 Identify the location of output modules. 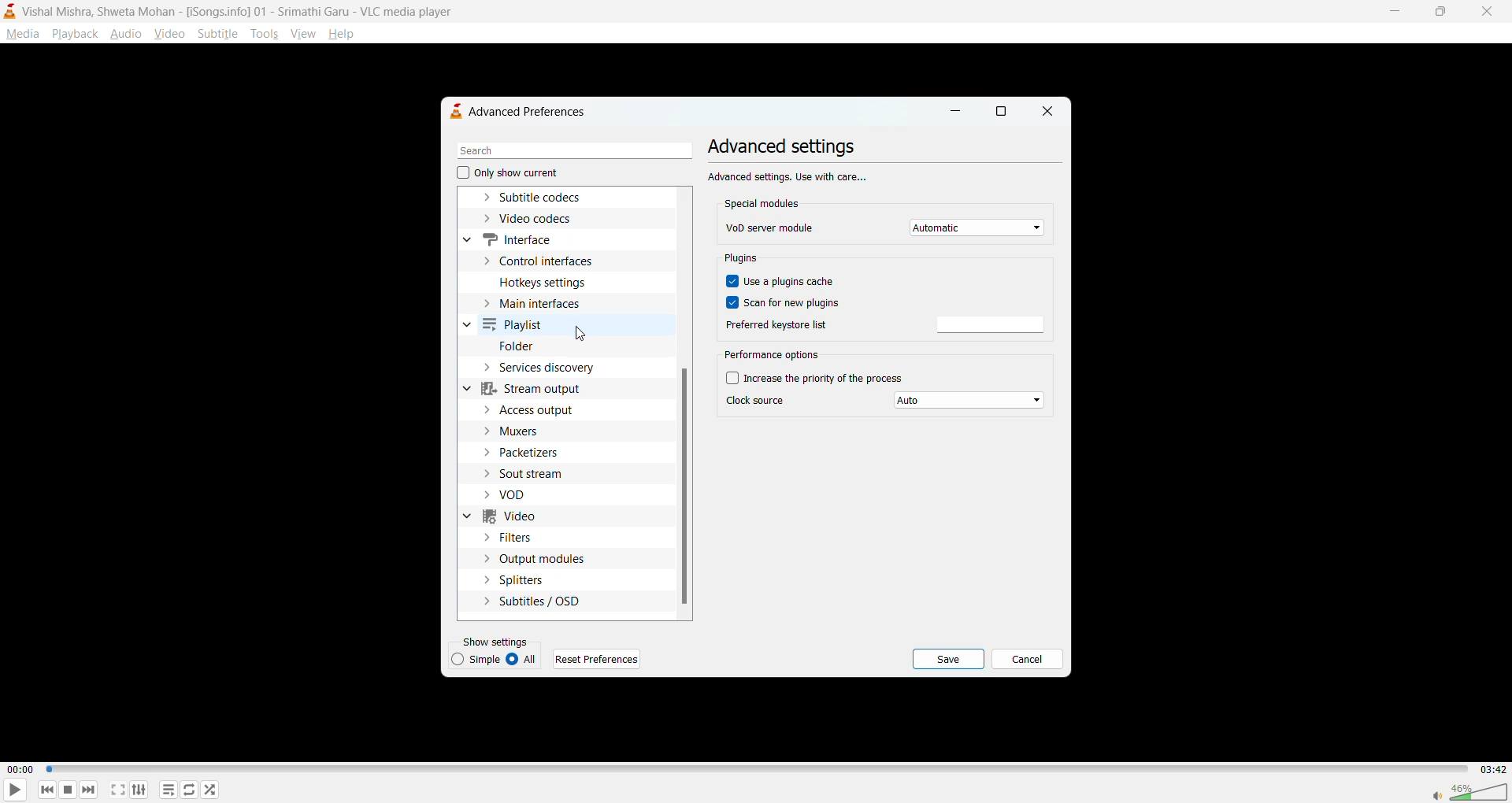
(536, 559).